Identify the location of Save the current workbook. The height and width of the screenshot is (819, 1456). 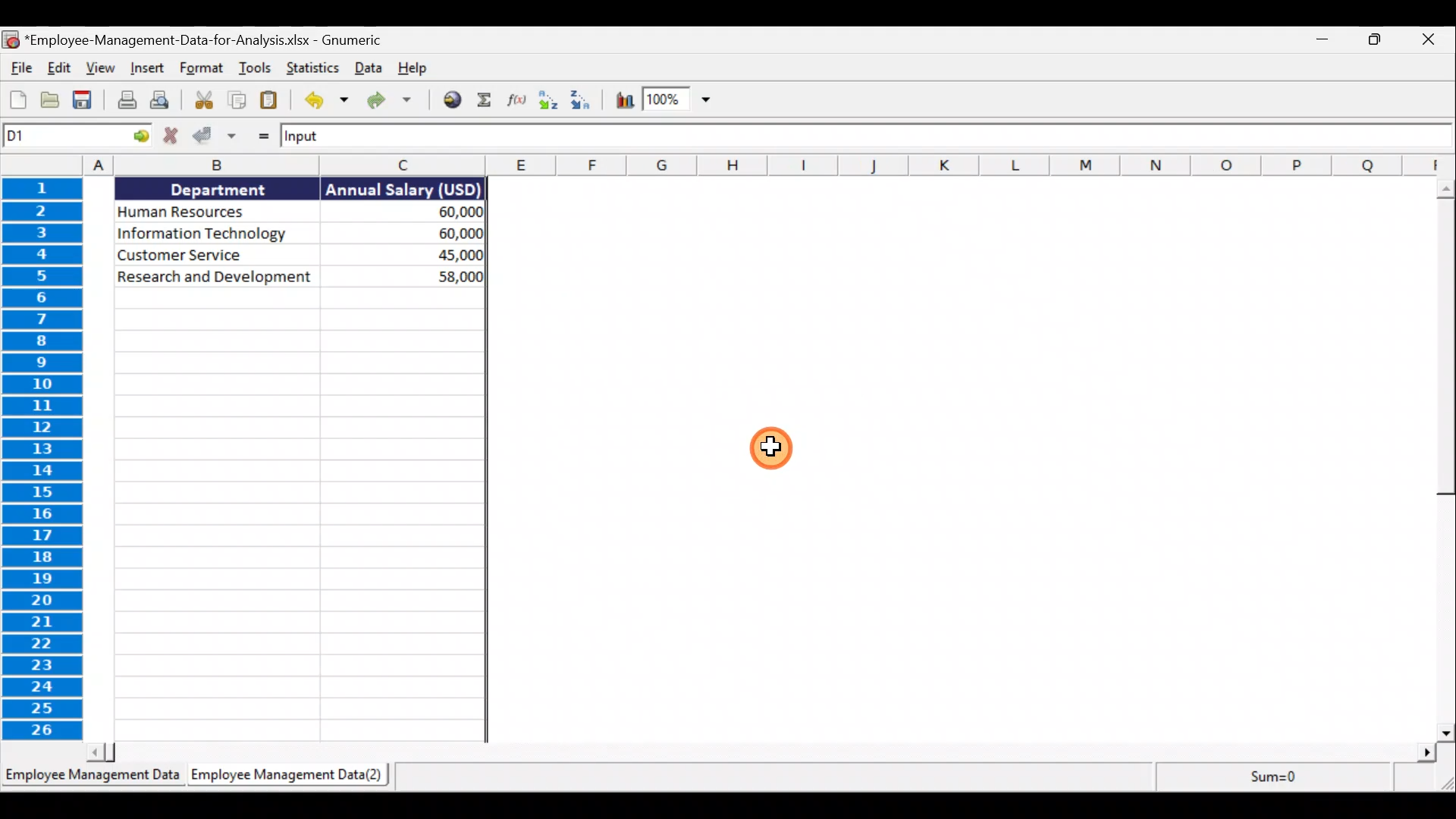
(84, 99).